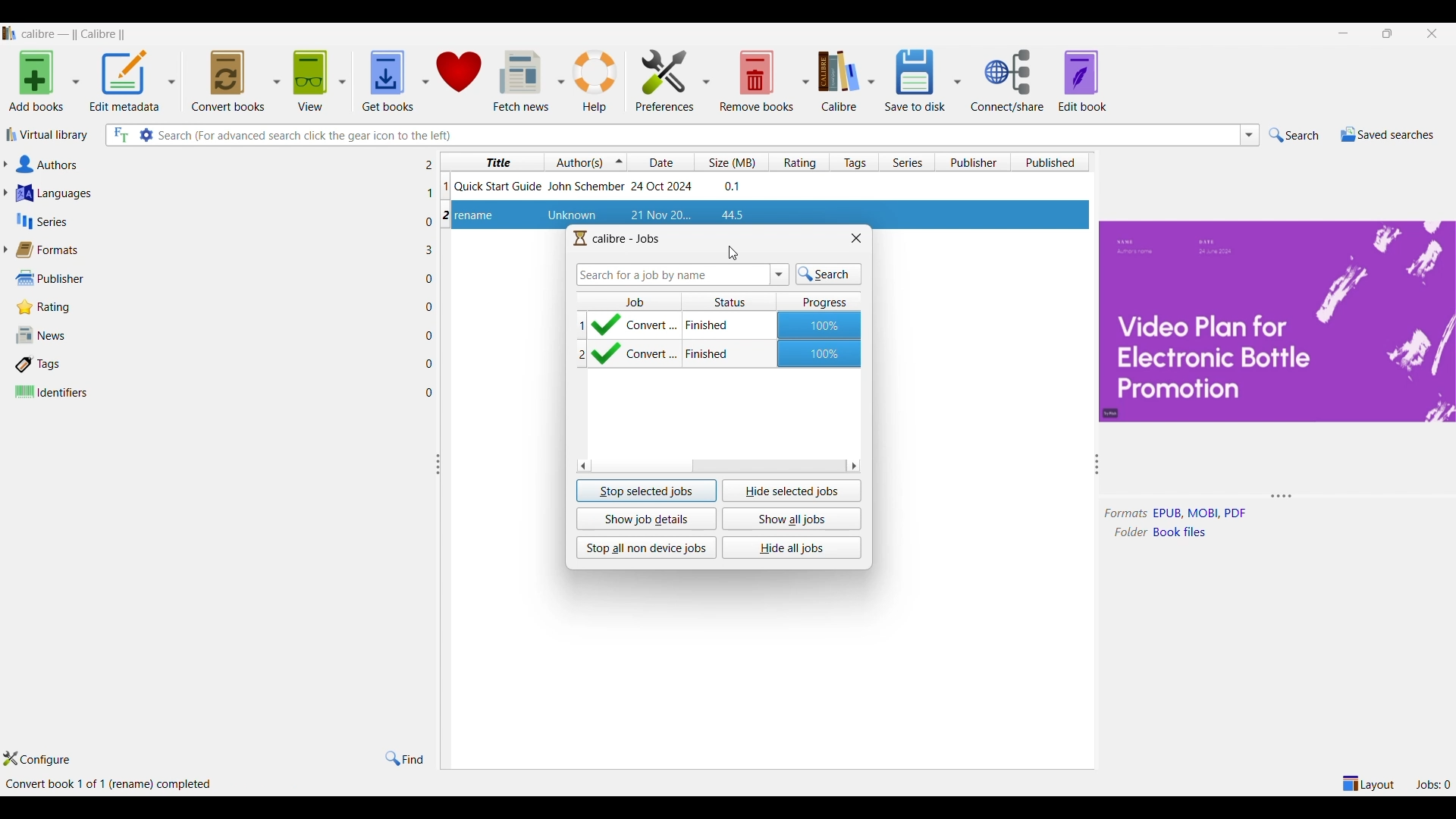 This screenshot has height=819, width=1456. What do you see at coordinates (629, 299) in the screenshot?
I see `Job column` at bounding box center [629, 299].